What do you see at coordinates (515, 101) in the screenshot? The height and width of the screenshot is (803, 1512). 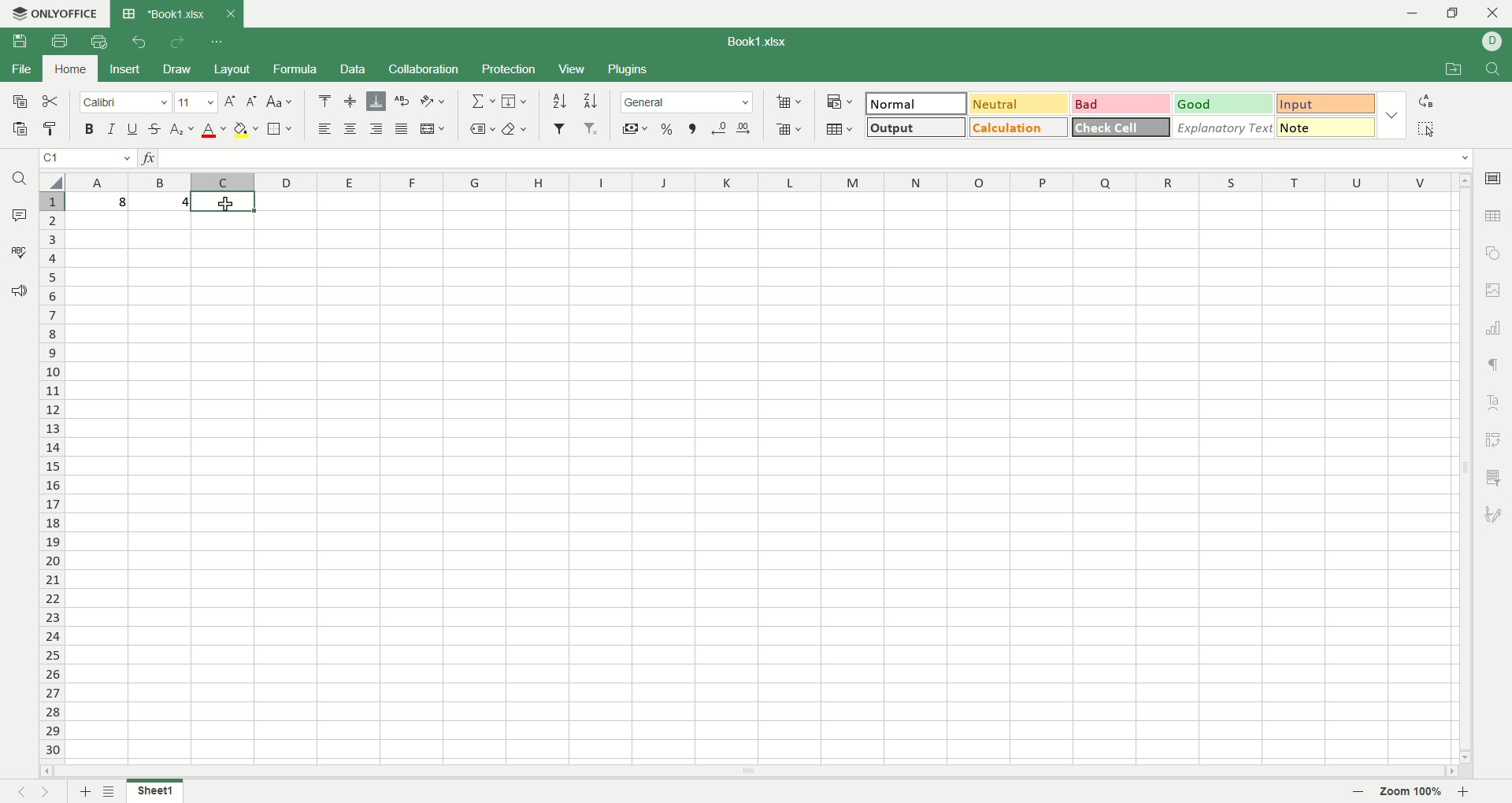 I see `fill` at bounding box center [515, 101].